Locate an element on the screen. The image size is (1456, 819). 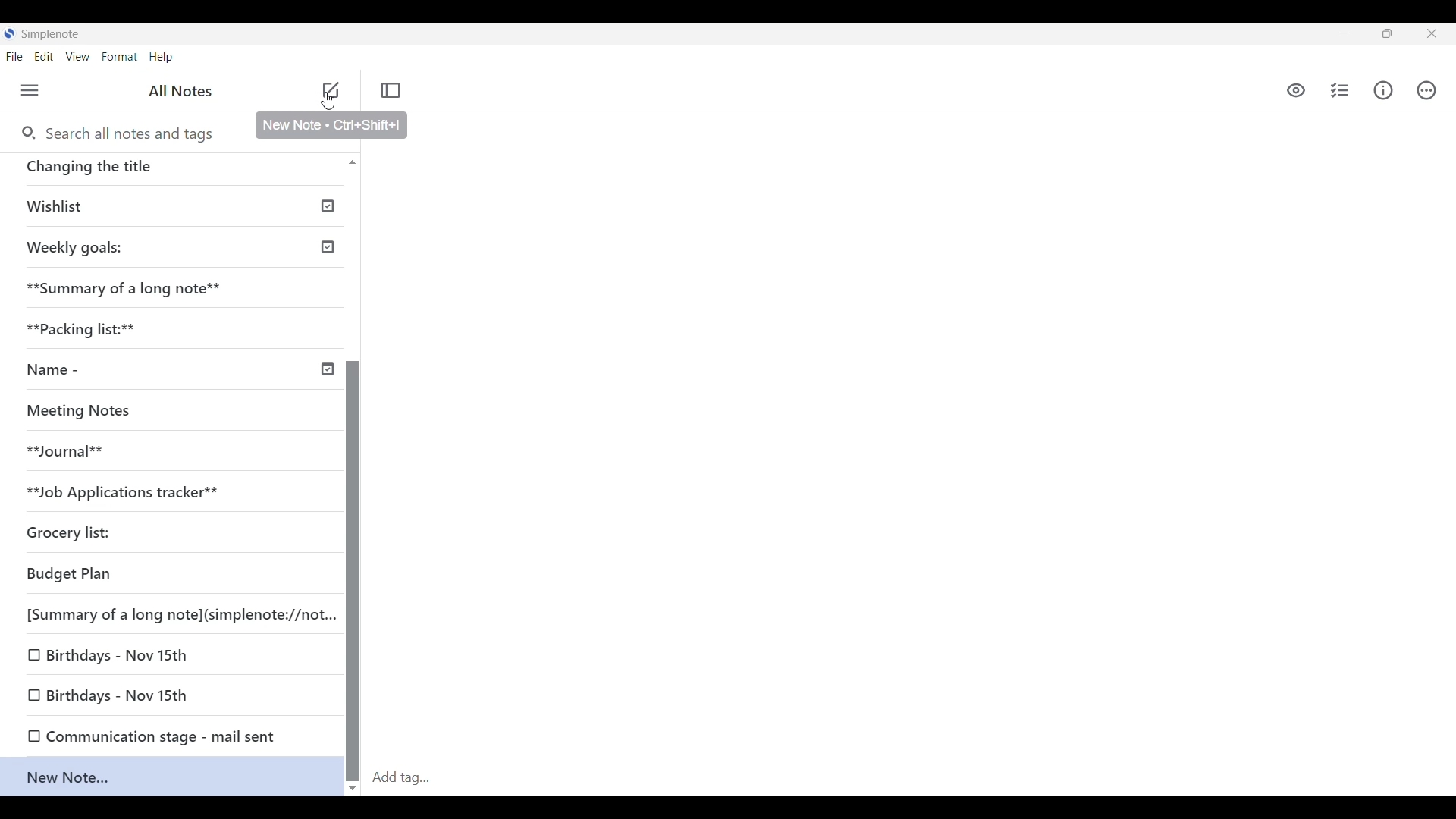
cursor is located at coordinates (331, 100).